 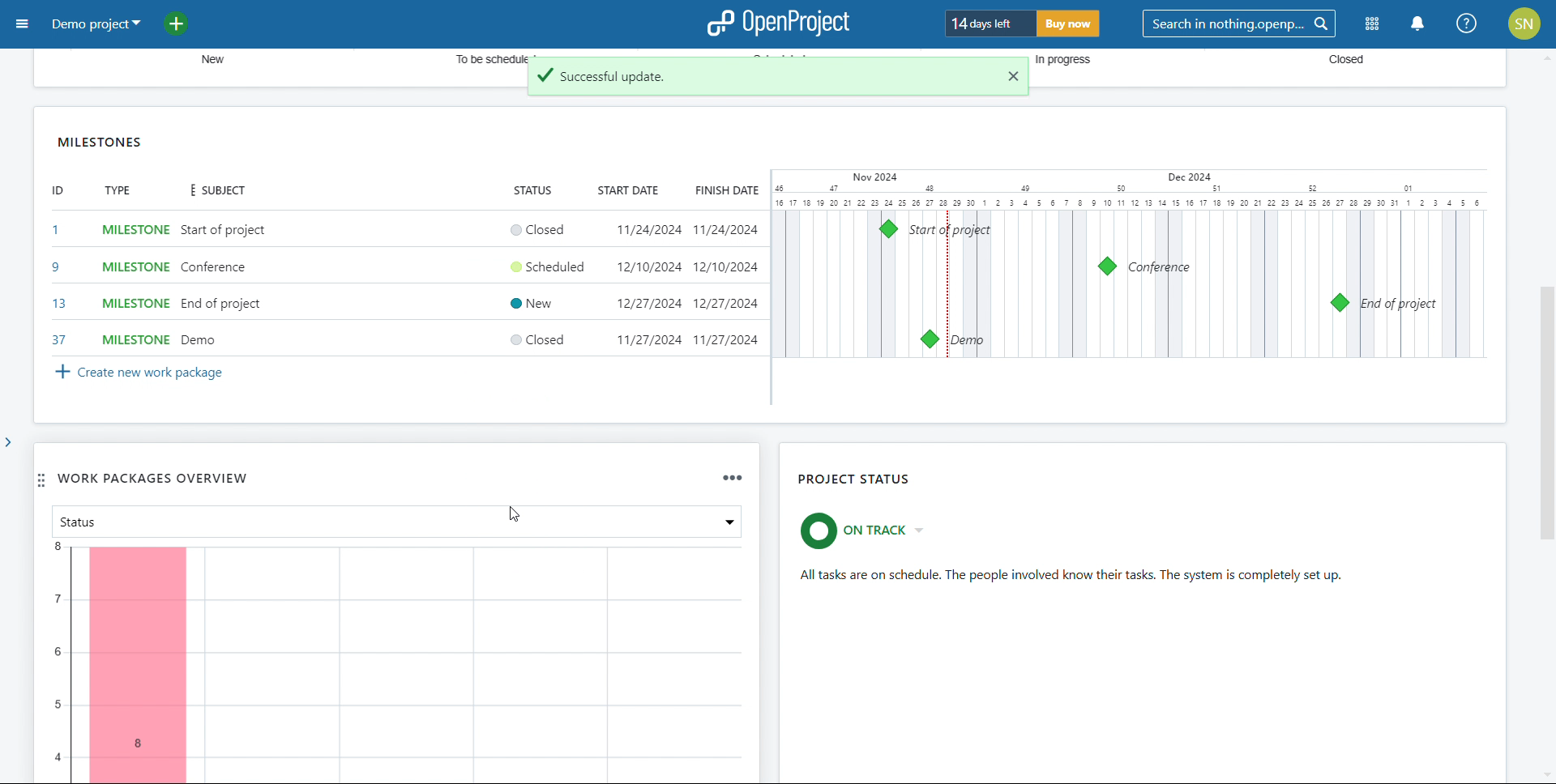 What do you see at coordinates (729, 477) in the screenshot?
I see `options` at bounding box center [729, 477].